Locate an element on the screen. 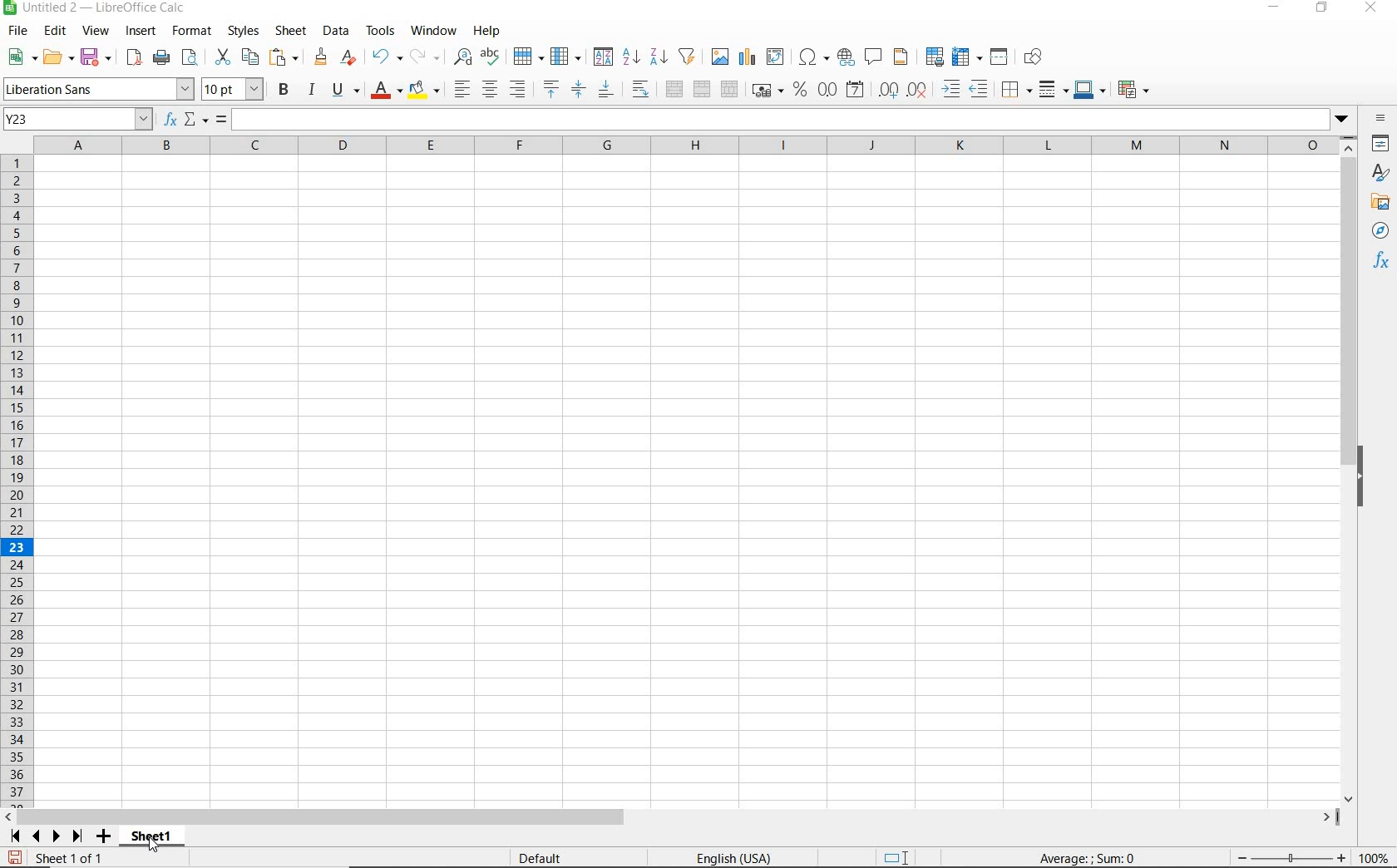 The height and width of the screenshot is (868, 1397). ROWS is located at coordinates (18, 478).